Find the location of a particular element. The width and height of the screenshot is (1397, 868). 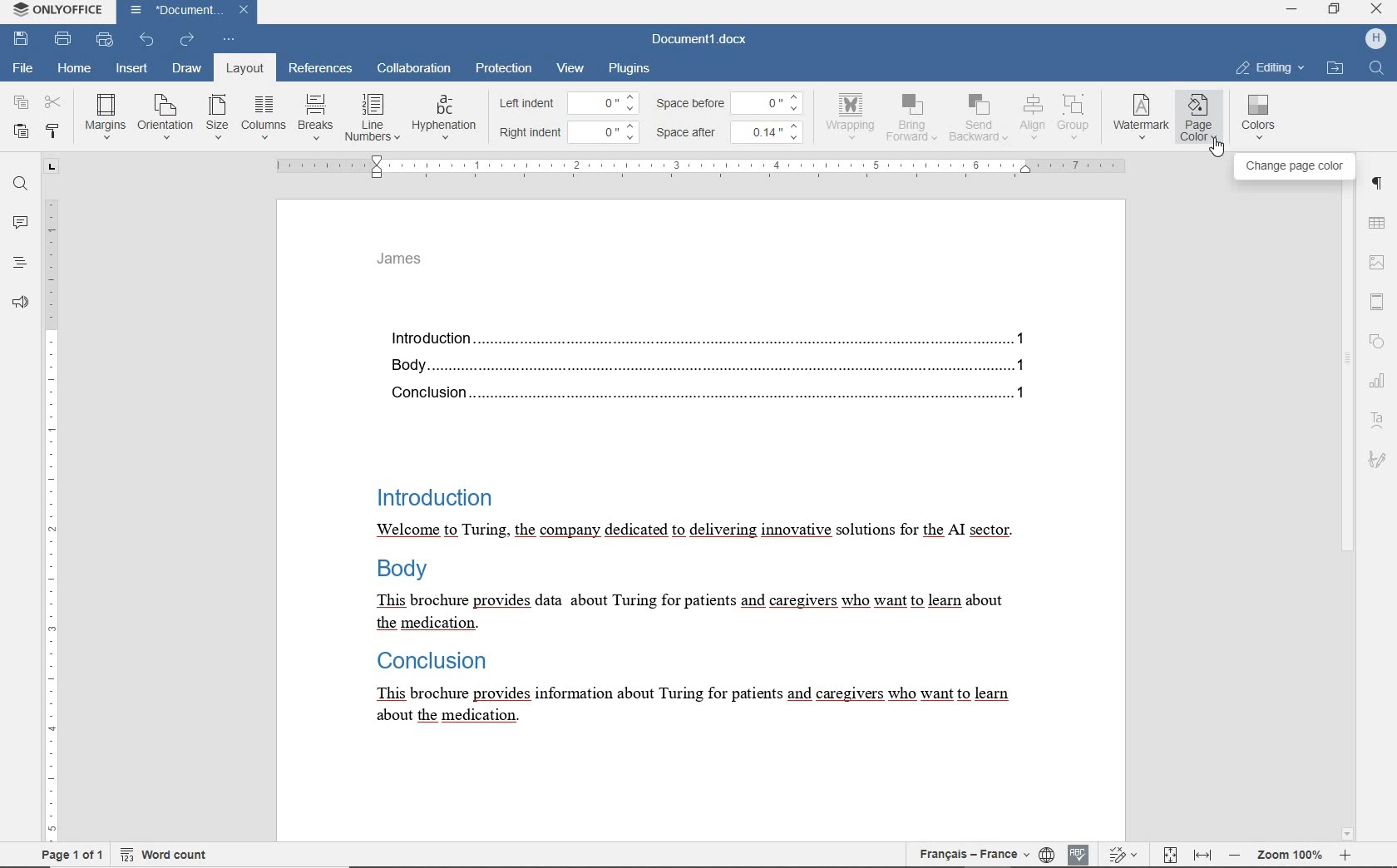

OPEN FILE LOCATION is located at coordinates (1337, 67).